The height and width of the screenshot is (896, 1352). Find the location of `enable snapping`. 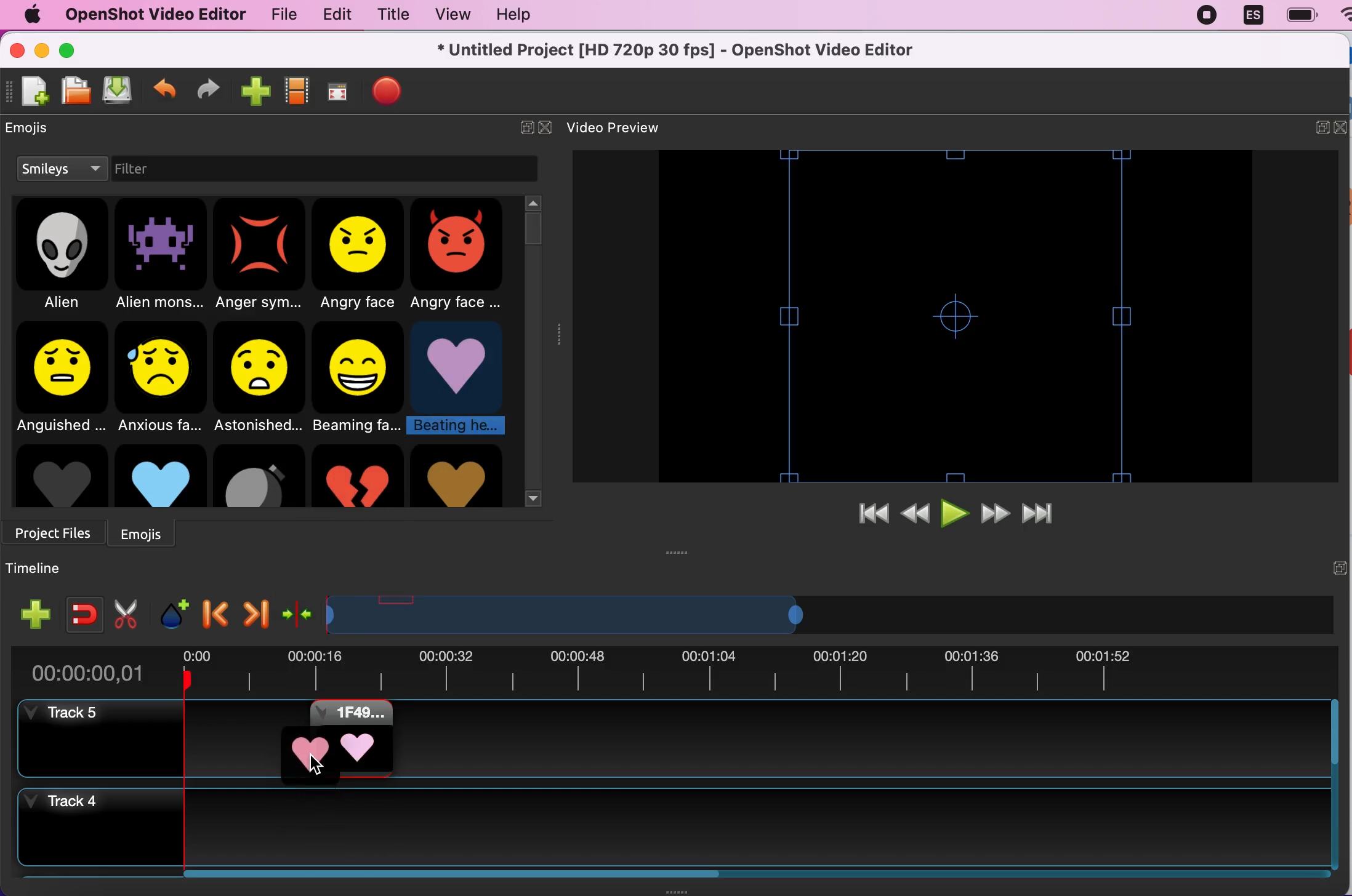

enable snapping is located at coordinates (80, 610).